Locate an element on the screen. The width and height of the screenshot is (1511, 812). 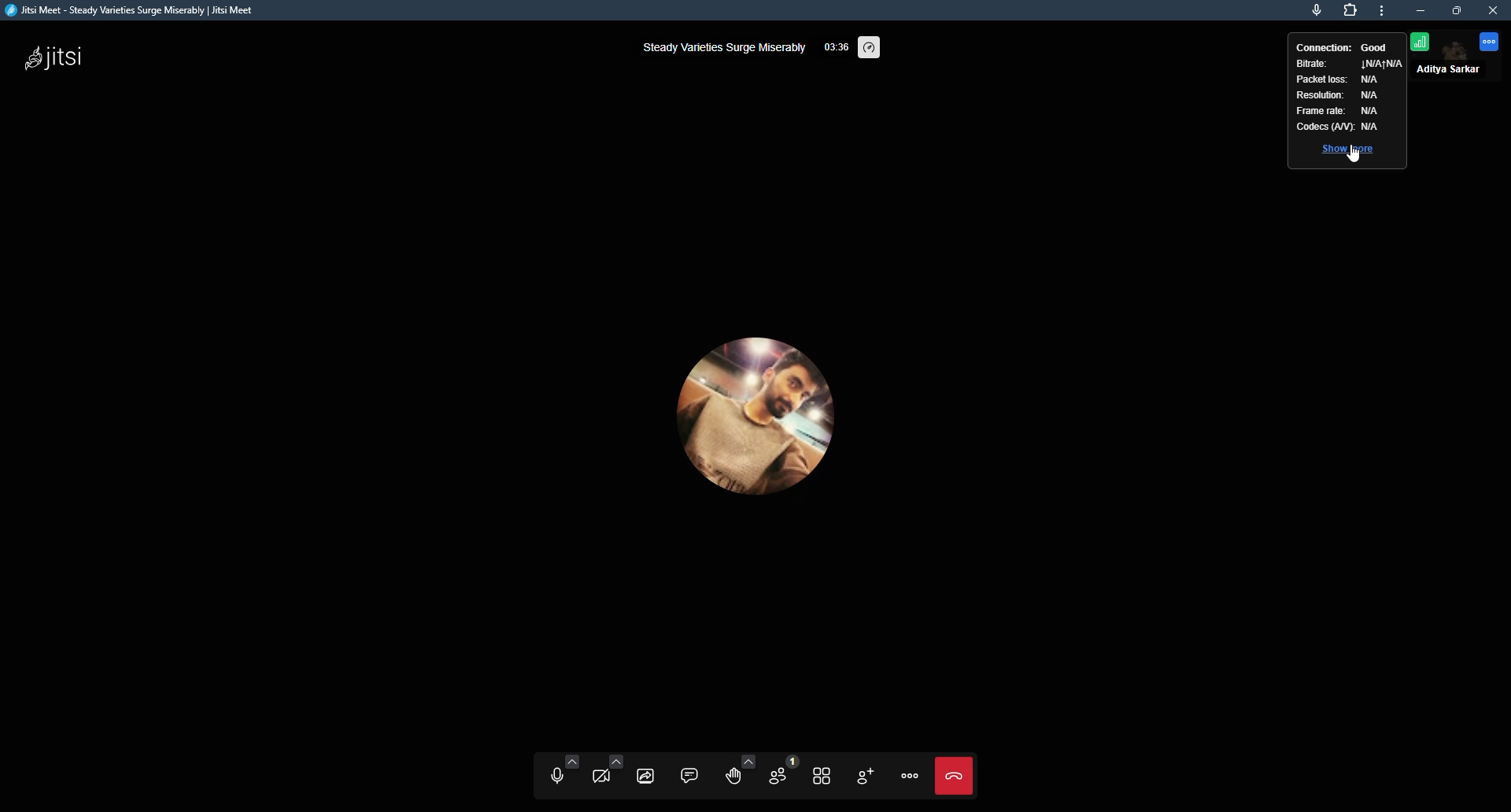
close is located at coordinates (1495, 11).